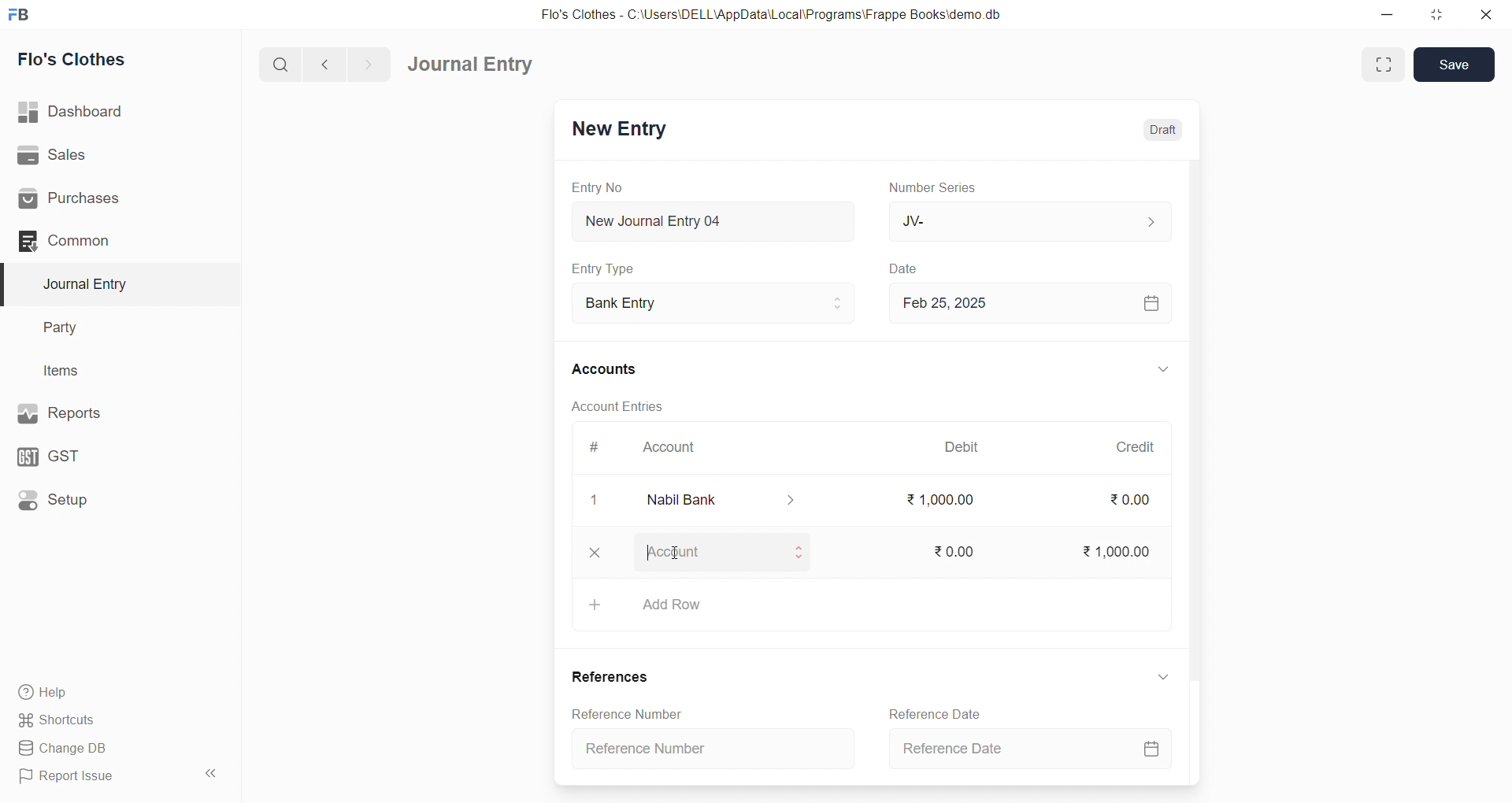 The image size is (1512, 803). What do you see at coordinates (713, 500) in the screenshot?
I see `Nabil Bank` at bounding box center [713, 500].